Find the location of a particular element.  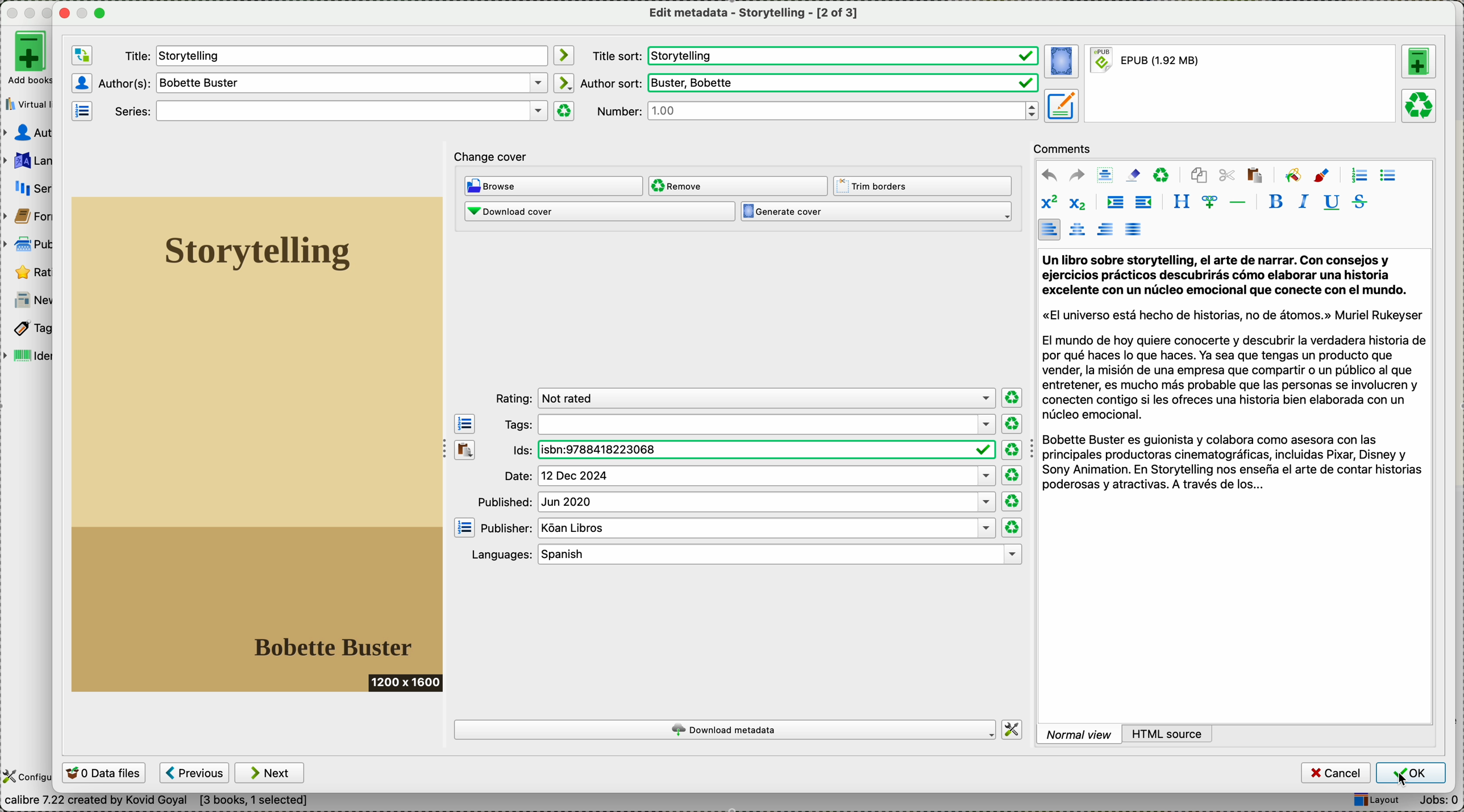

bold is located at coordinates (1276, 202).